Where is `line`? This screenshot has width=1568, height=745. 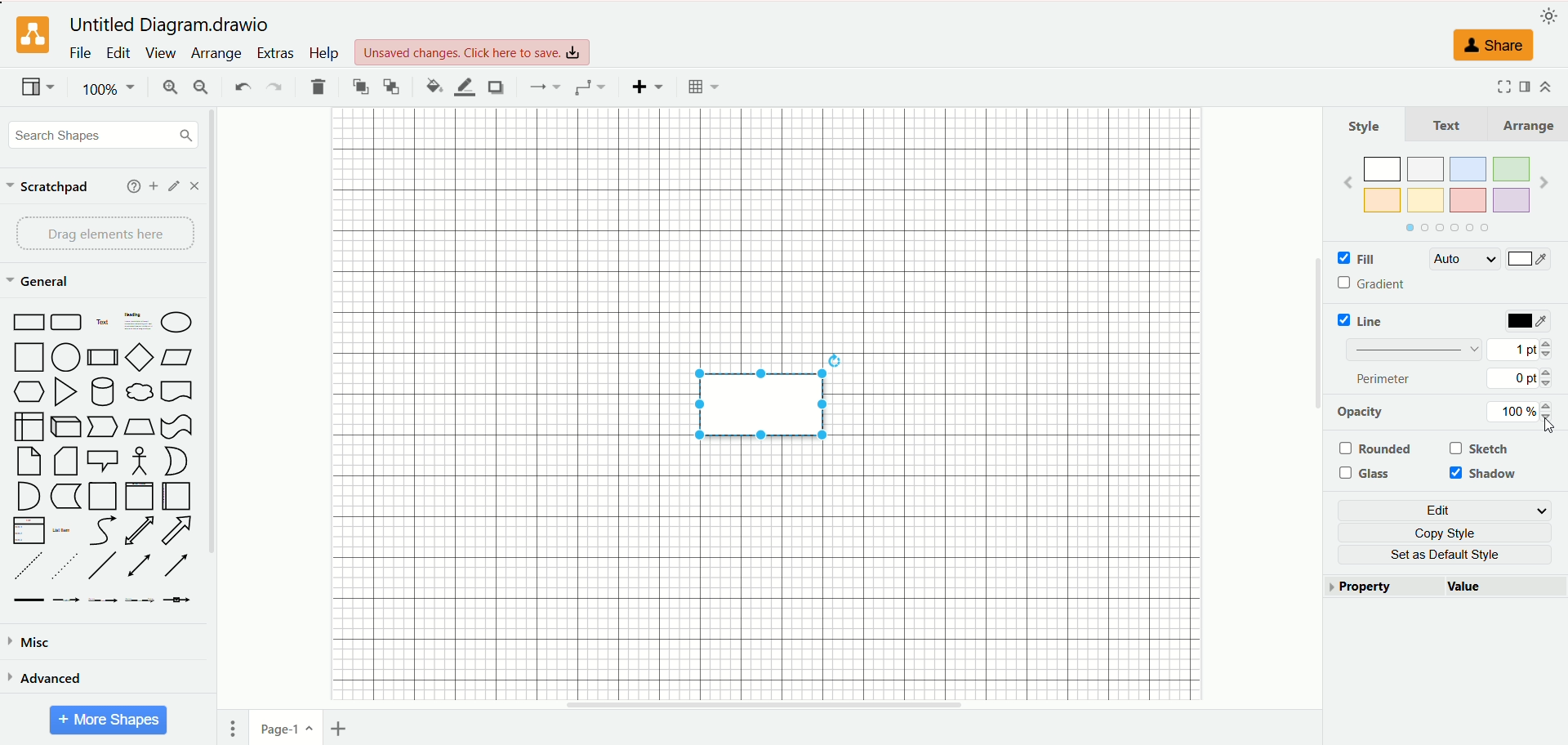
line is located at coordinates (1365, 320).